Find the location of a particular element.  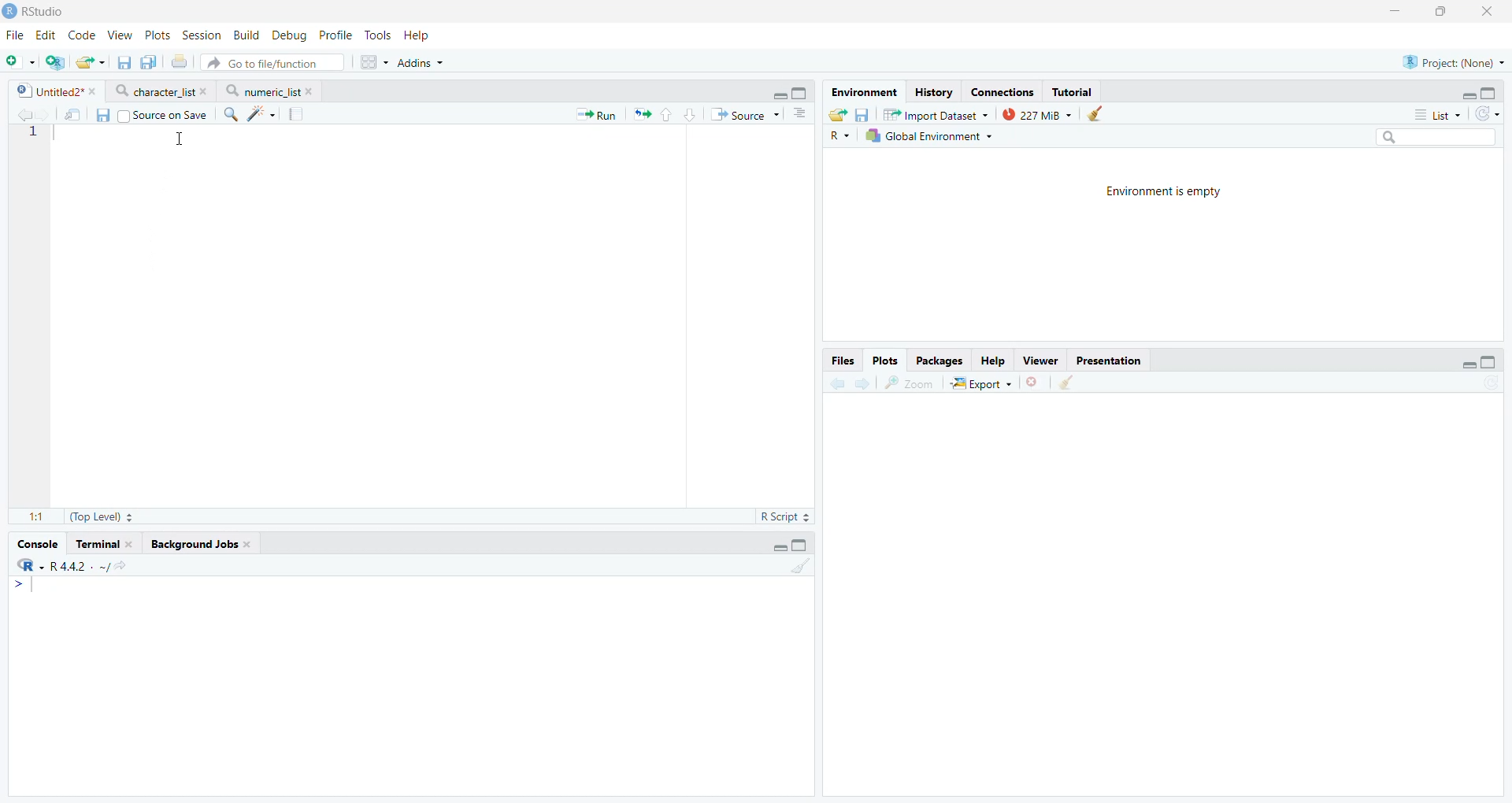

Untitled2* is located at coordinates (55, 91).